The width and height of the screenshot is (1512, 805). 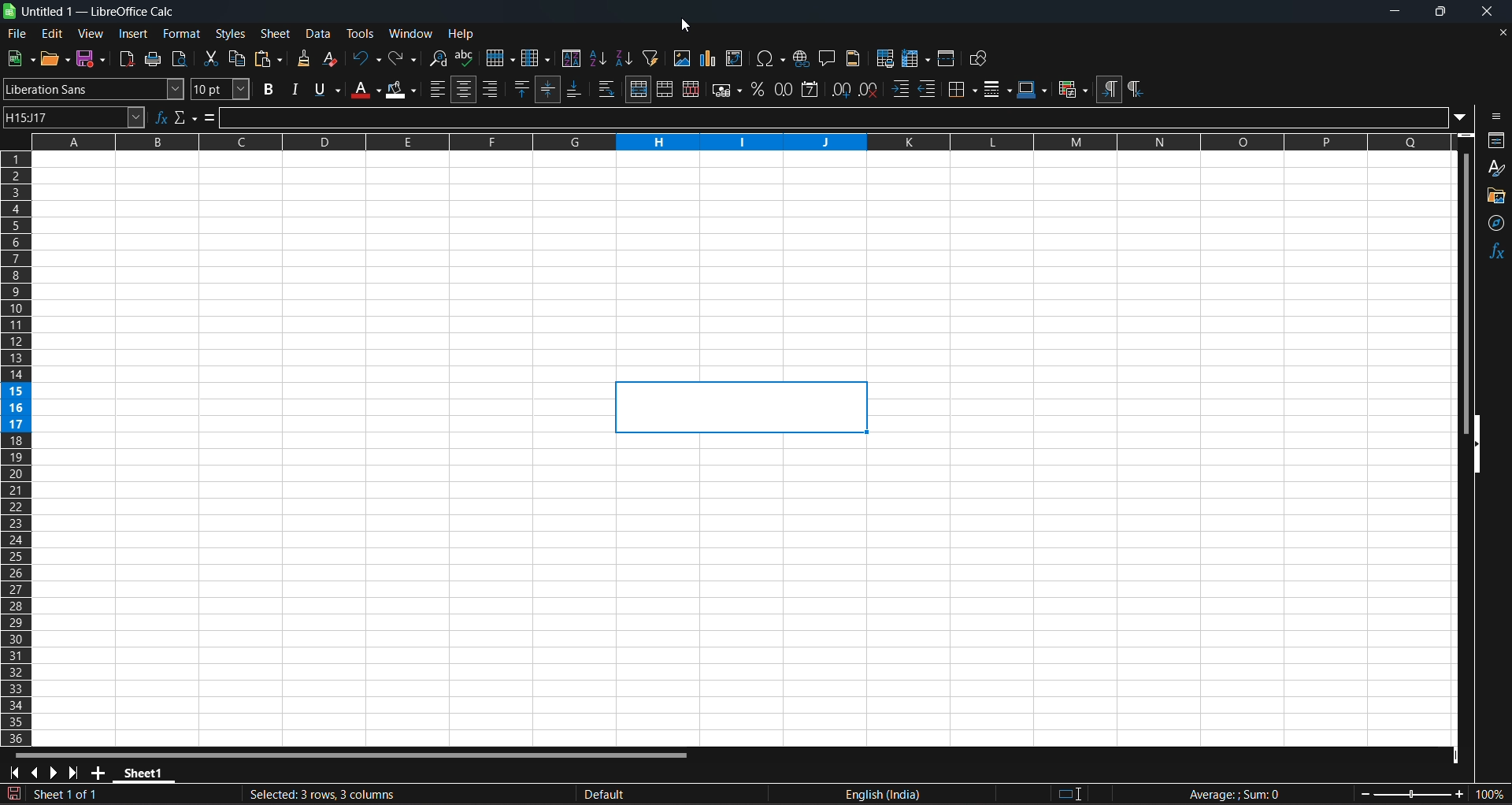 I want to click on align top, so click(x=524, y=90).